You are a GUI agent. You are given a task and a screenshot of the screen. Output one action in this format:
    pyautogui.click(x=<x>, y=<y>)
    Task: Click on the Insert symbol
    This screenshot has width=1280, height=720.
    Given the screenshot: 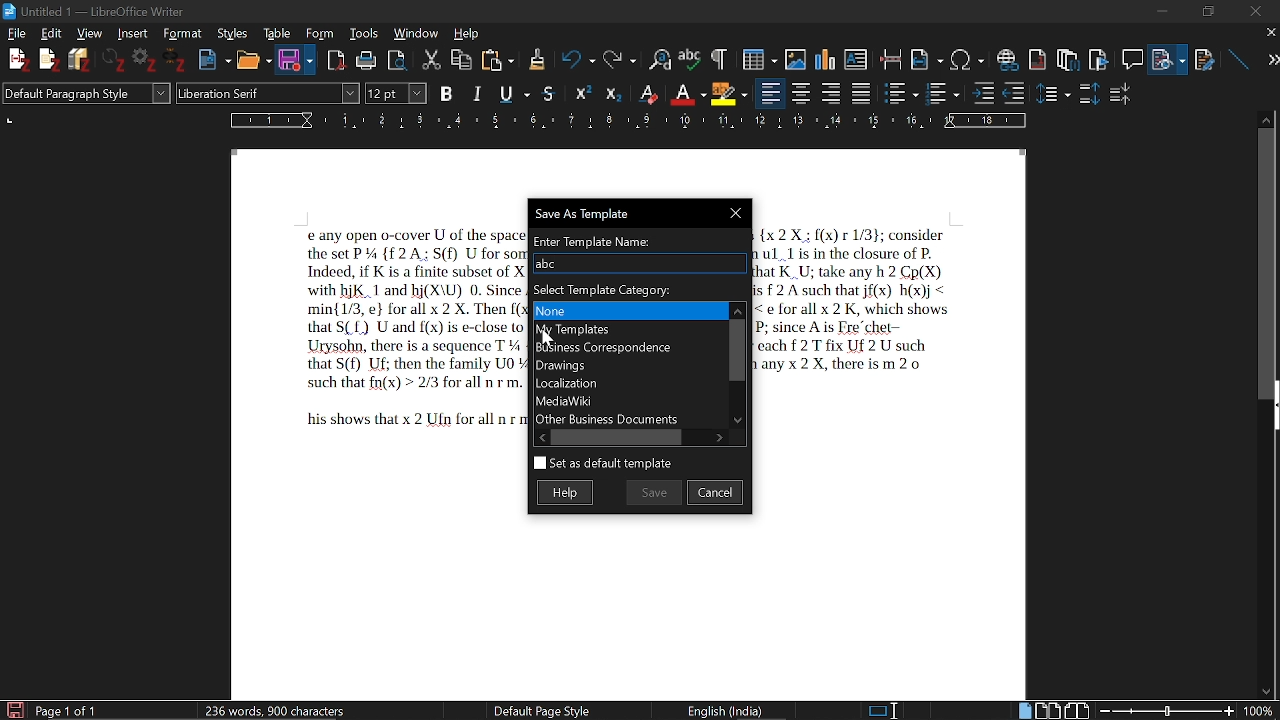 What is the action you would take?
    pyautogui.click(x=968, y=58)
    